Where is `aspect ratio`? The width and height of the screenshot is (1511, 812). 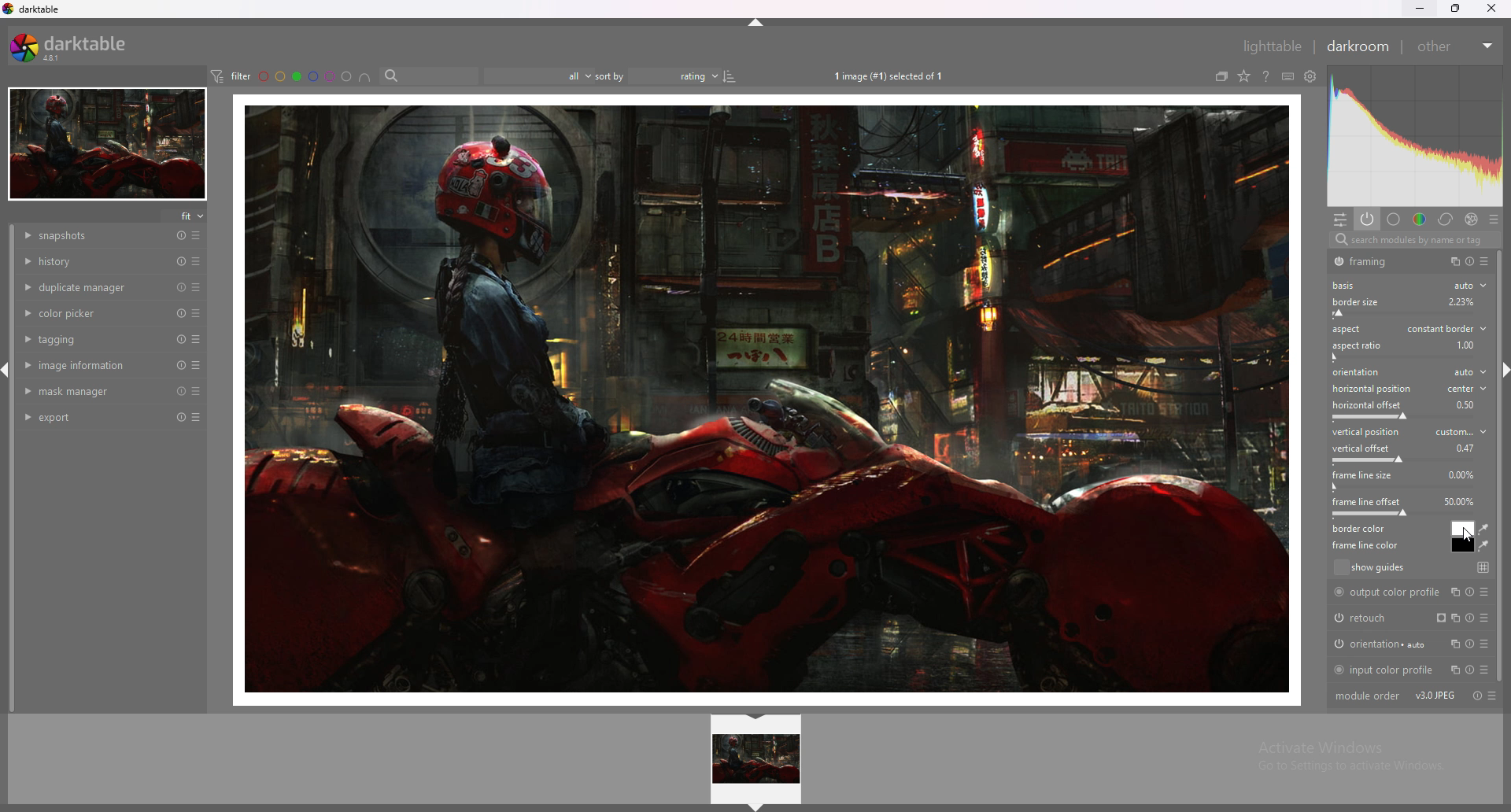 aspect ratio is located at coordinates (1356, 346).